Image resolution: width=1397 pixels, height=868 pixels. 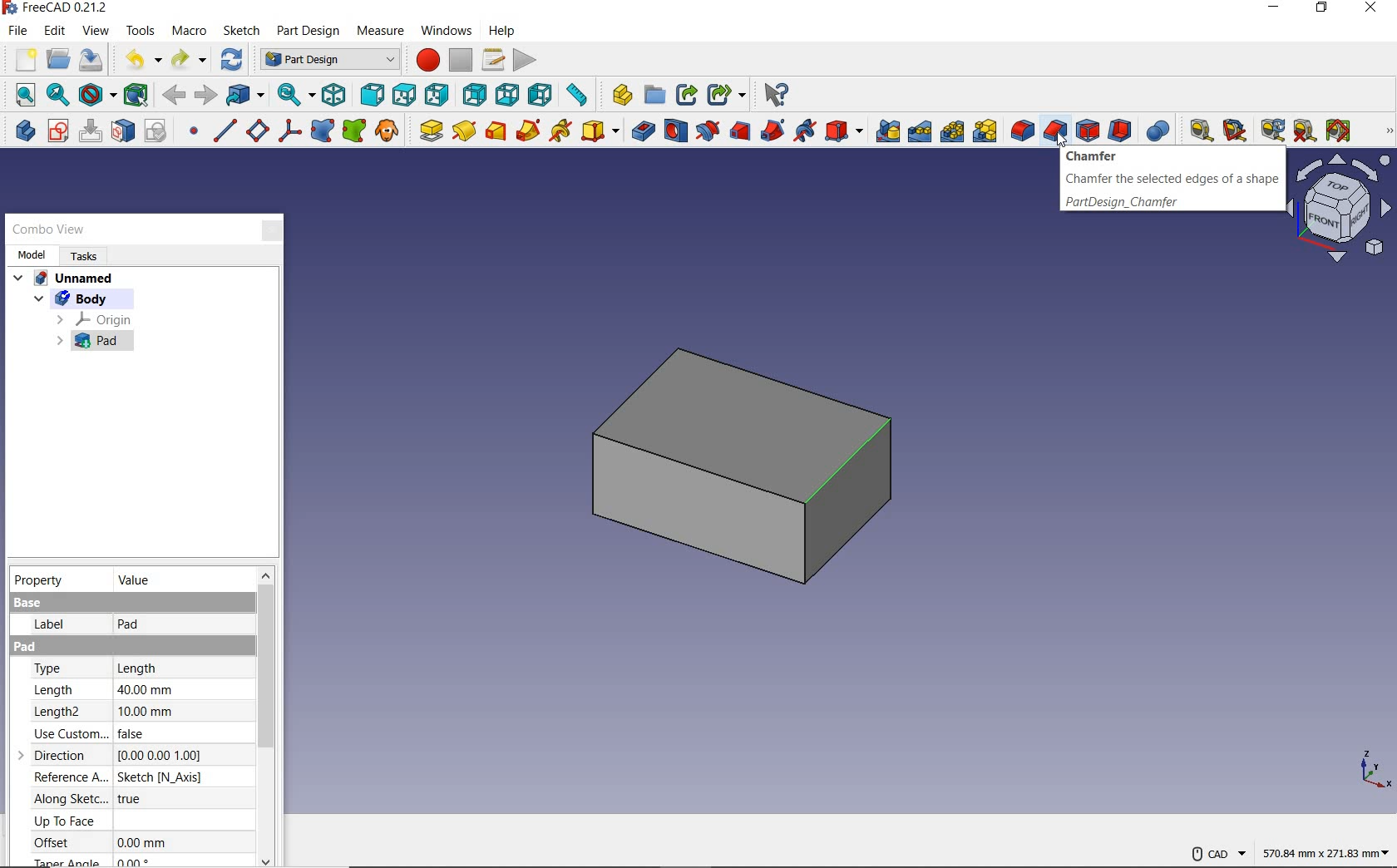 I want to click on create an additive primitive, so click(x=599, y=131).